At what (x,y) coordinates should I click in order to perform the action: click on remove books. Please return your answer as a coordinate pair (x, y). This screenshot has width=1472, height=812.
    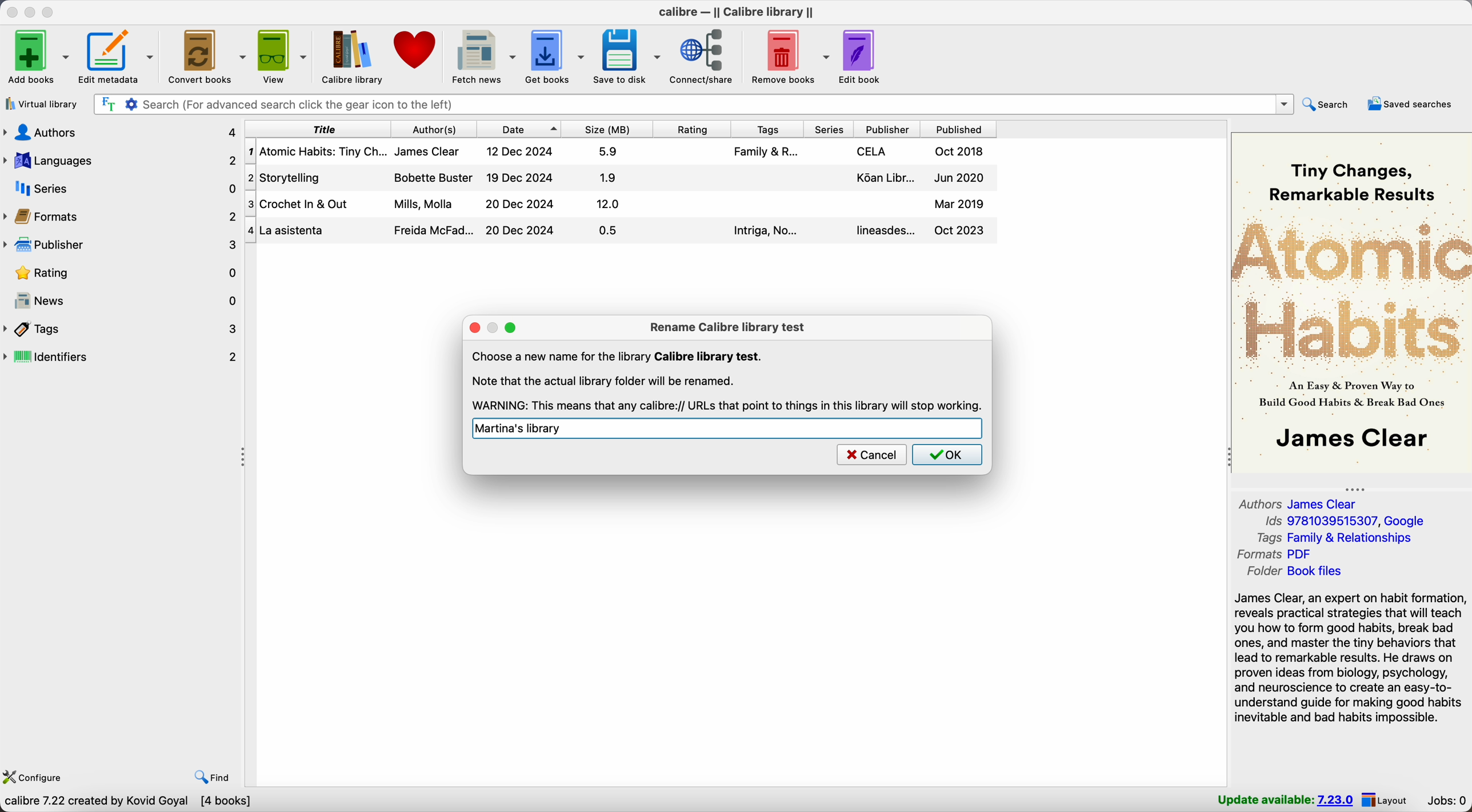
    Looking at the image, I should click on (790, 57).